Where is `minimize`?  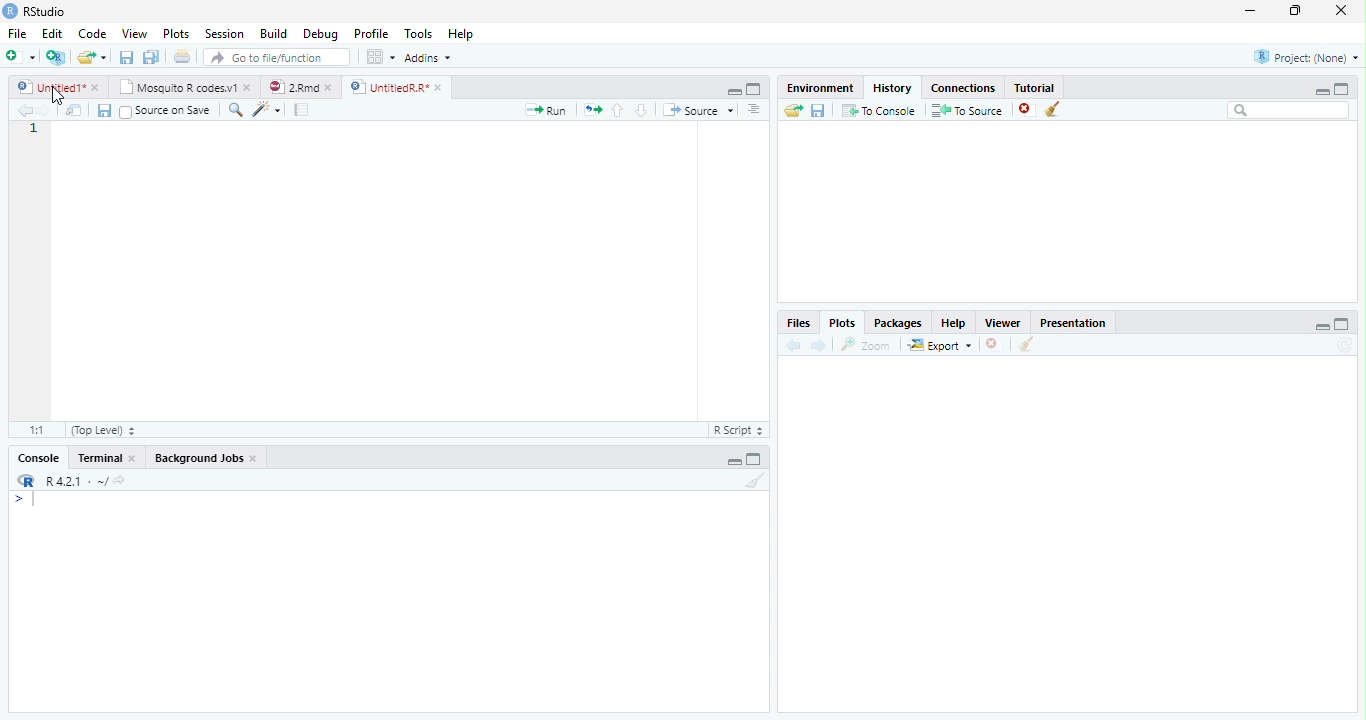 minimize is located at coordinates (1250, 10).